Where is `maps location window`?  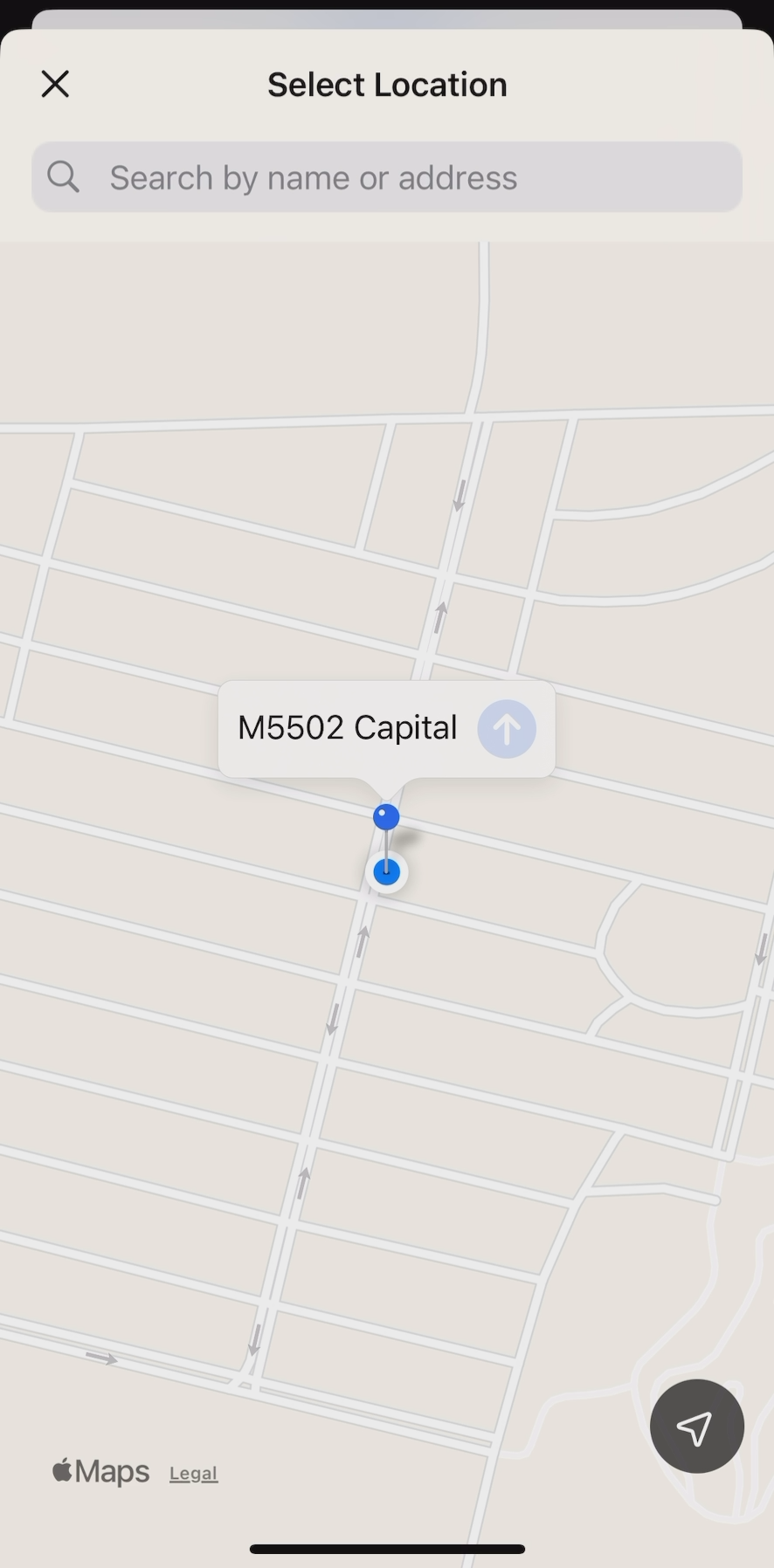
maps location window is located at coordinates (387, 780).